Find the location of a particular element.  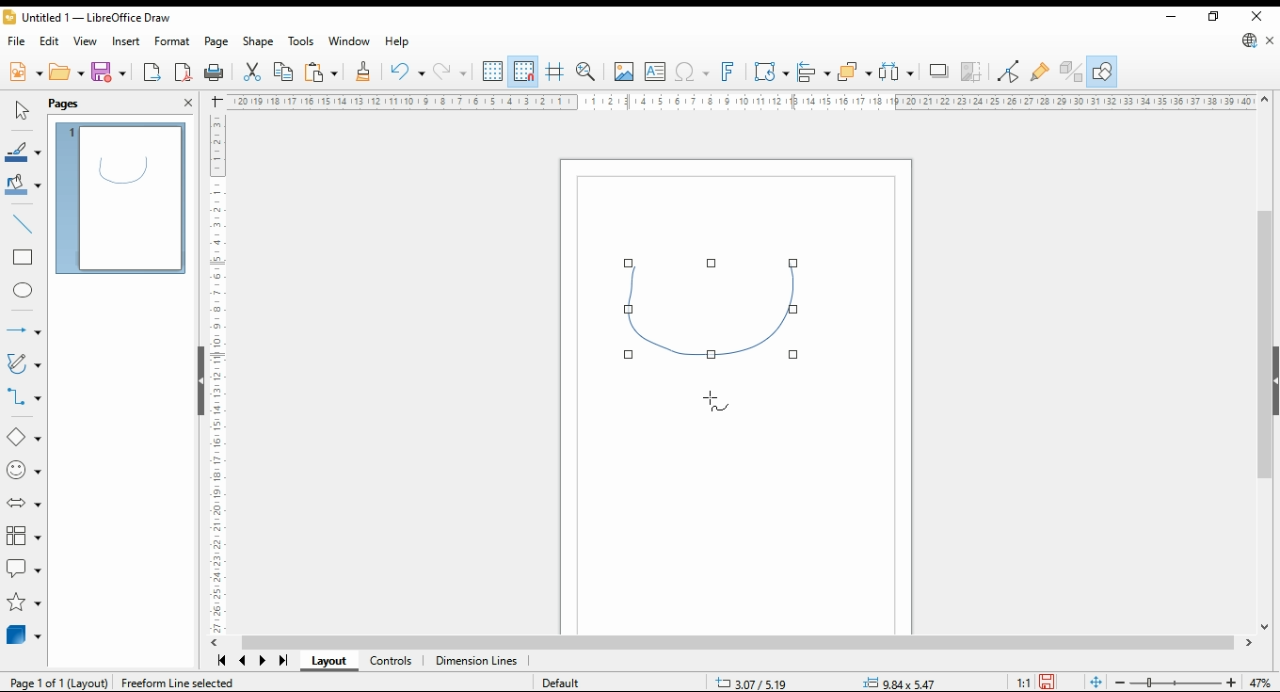

libreoffice update is located at coordinates (1250, 40).